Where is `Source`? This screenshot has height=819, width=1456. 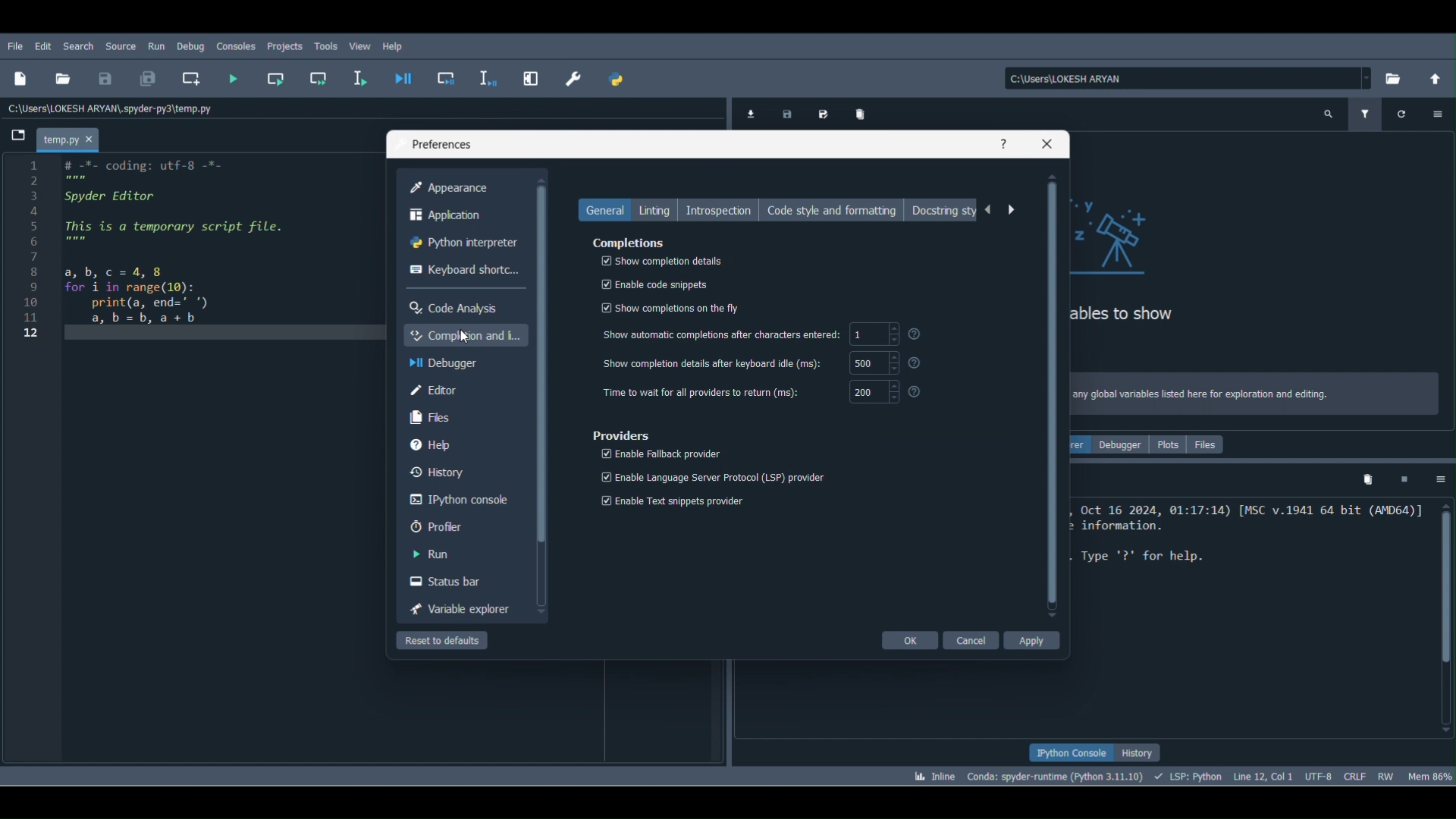
Source is located at coordinates (121, 45).